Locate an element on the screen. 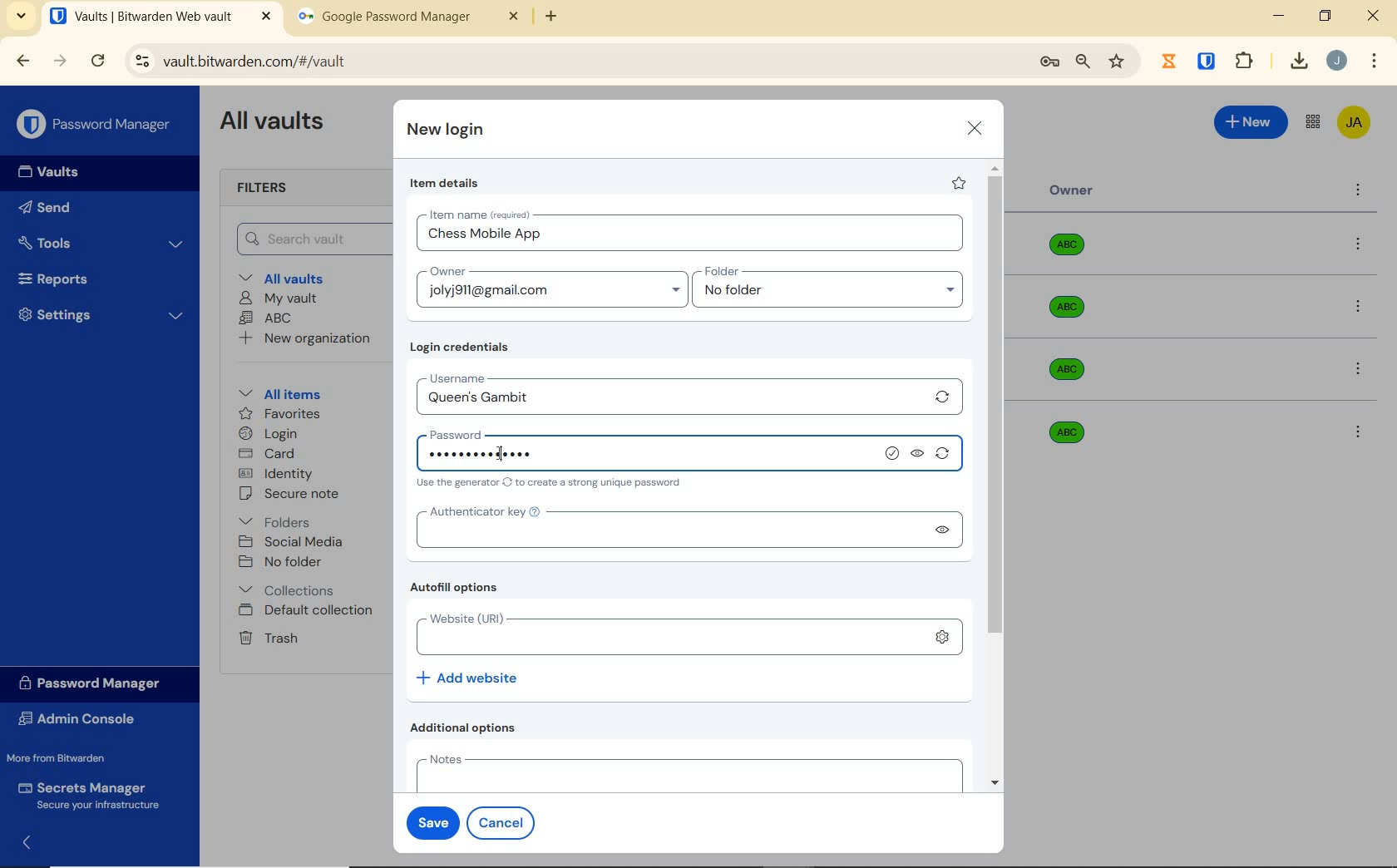 This screenshot has height=868, width=1397. login name is located at coordinates (690, 238).